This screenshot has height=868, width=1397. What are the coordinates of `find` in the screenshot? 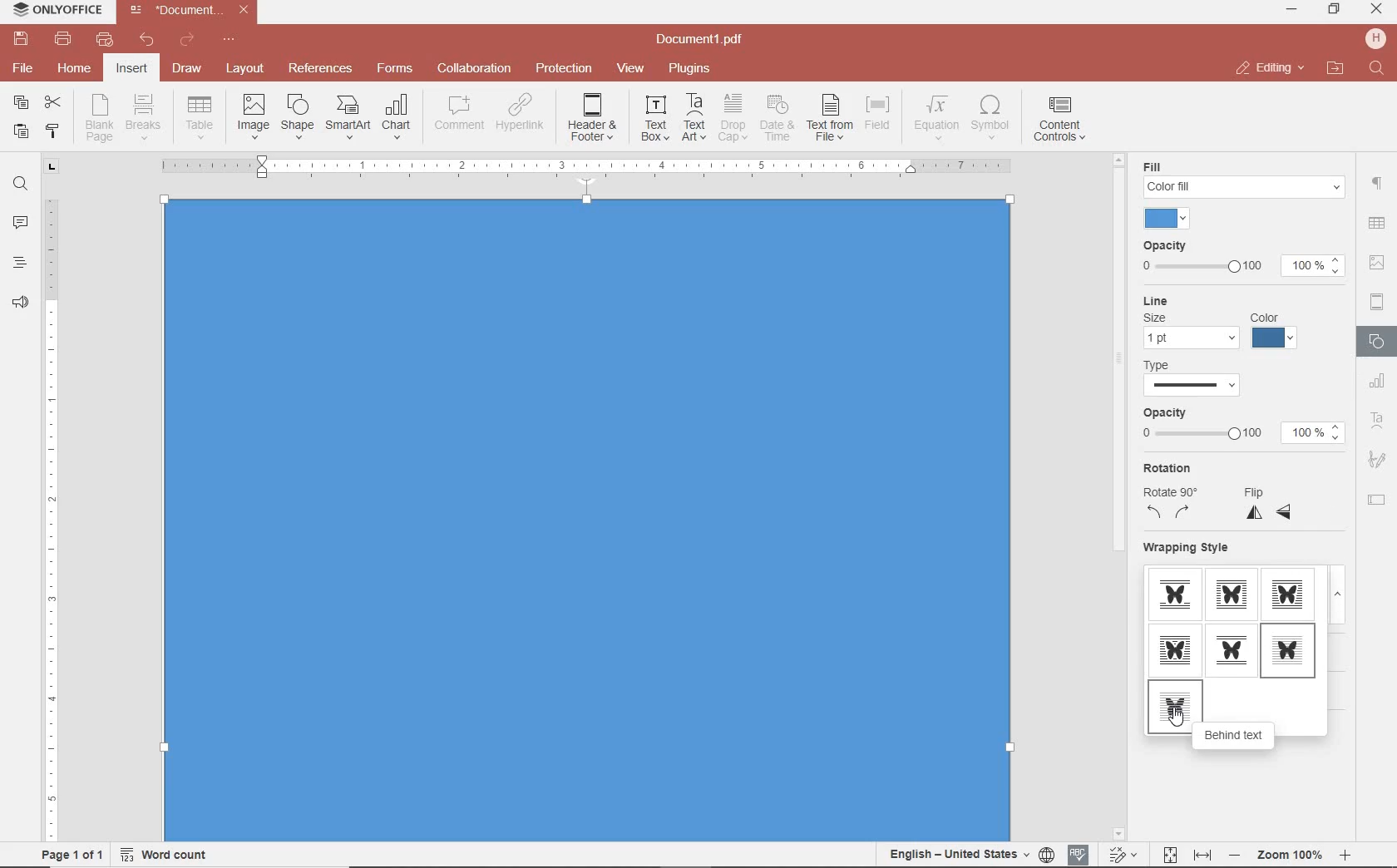 It's located at (20, 182).